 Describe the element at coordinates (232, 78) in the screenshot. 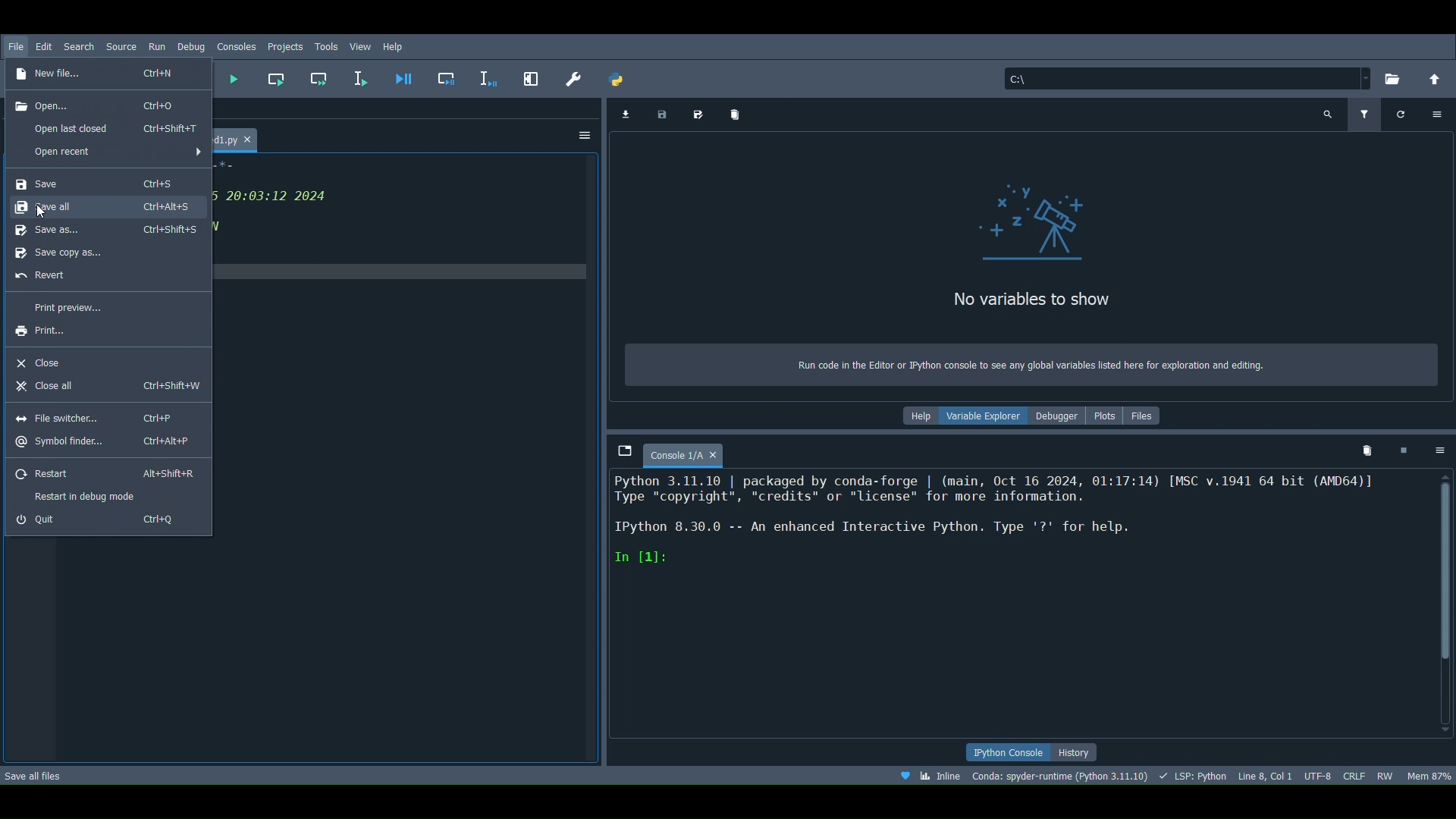

I see `Run file (F5)` at that location.